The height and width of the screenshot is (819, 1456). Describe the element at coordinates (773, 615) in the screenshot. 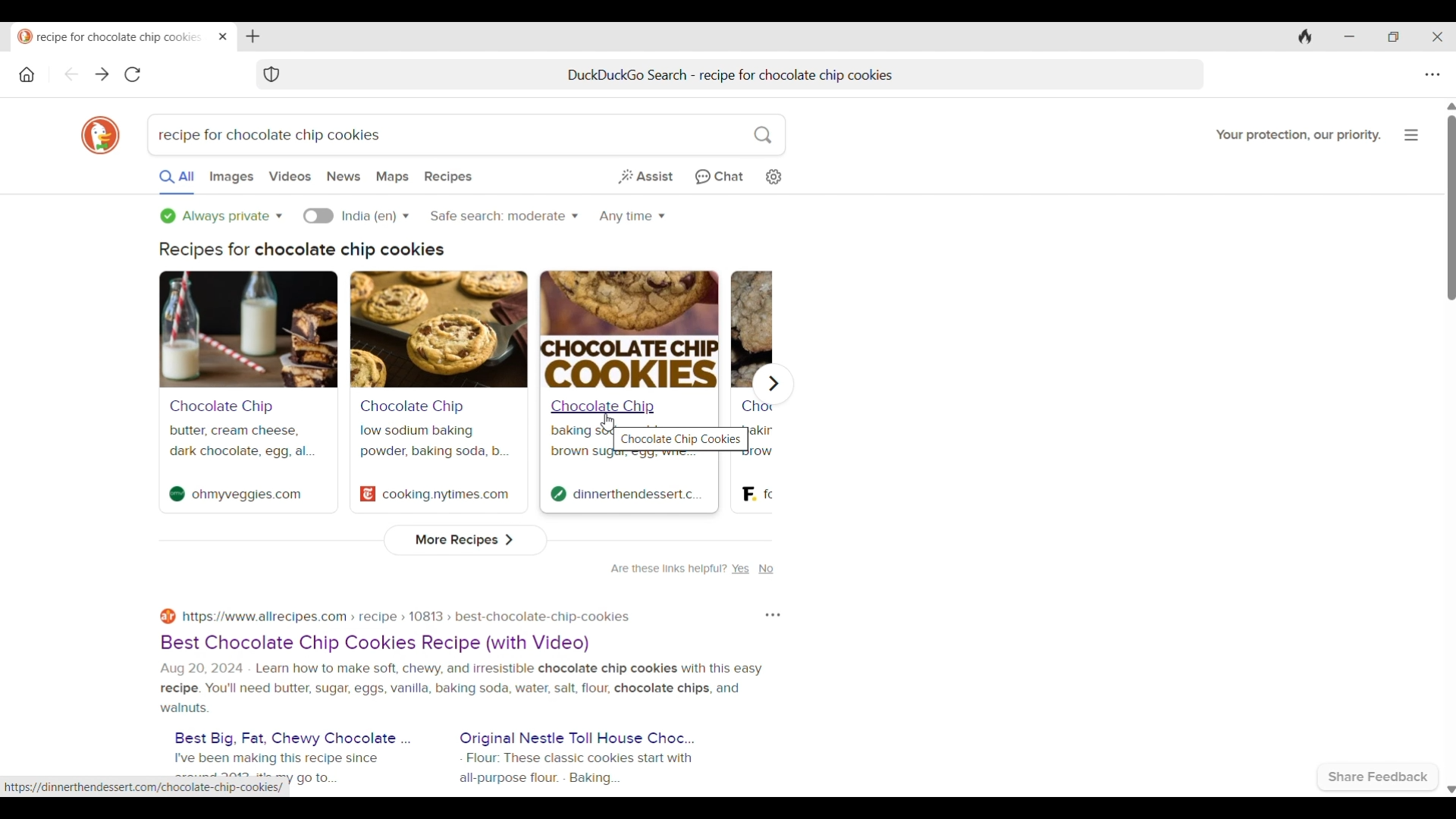

I see `Feedback loop of respective search result` at that location.